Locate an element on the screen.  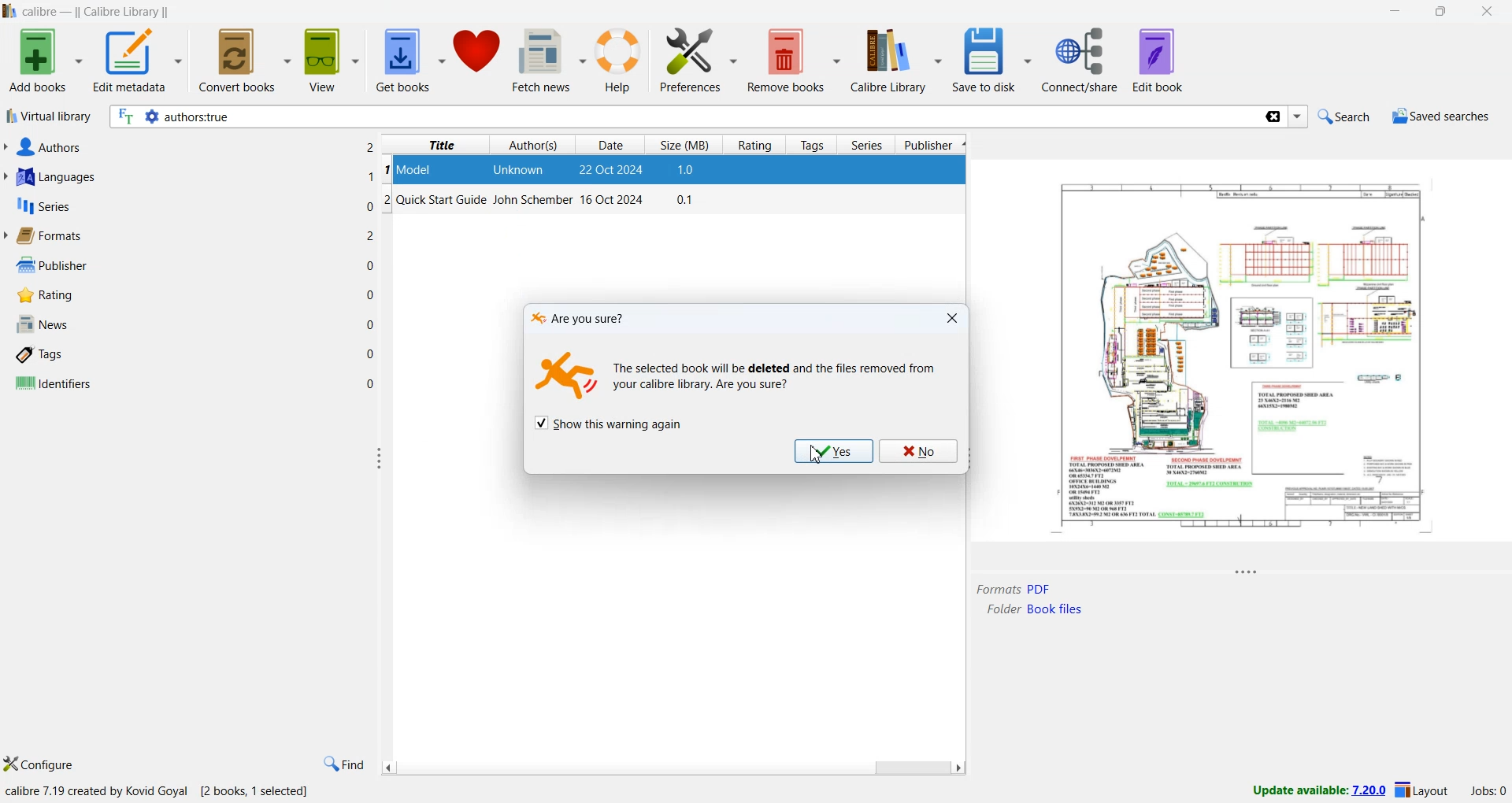
calibre library is located at coordinates (125, 13).